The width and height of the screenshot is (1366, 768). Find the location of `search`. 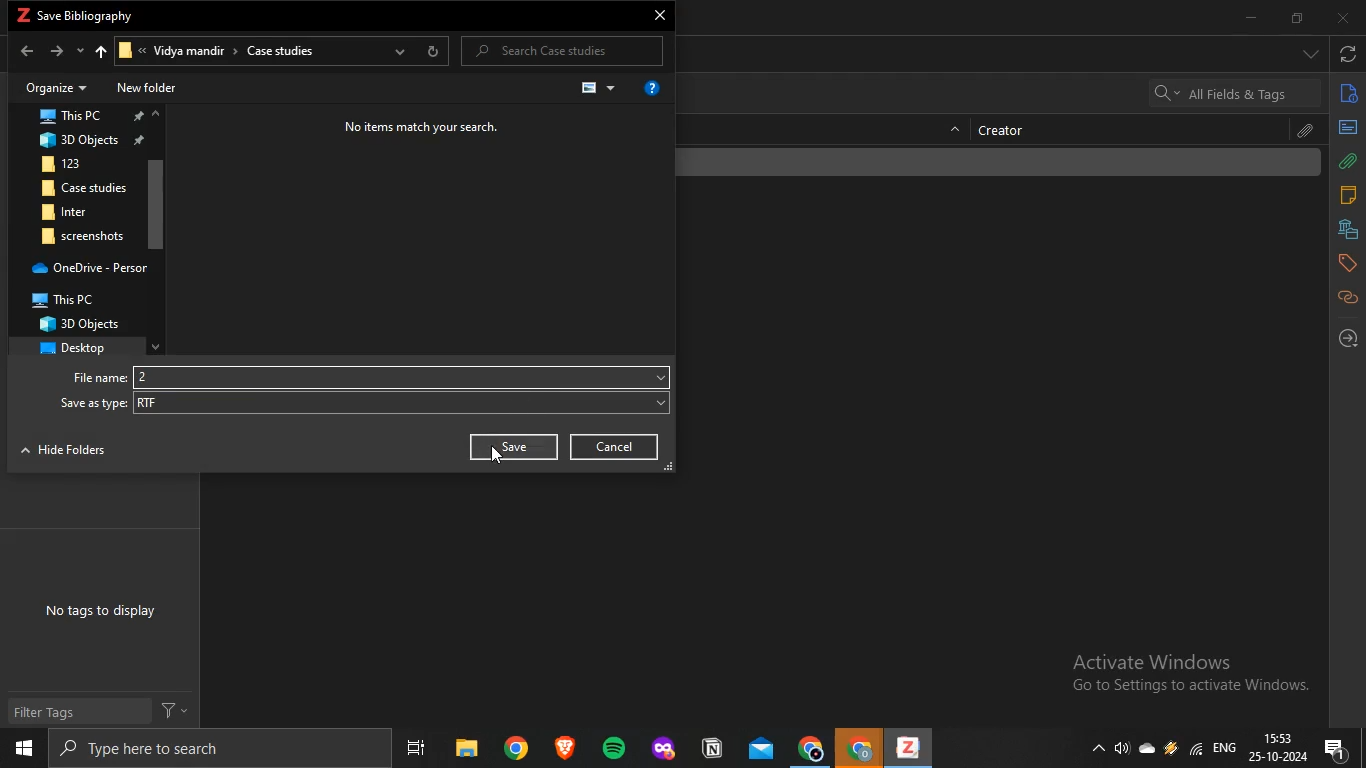

search is located at coordinates (210, 748).